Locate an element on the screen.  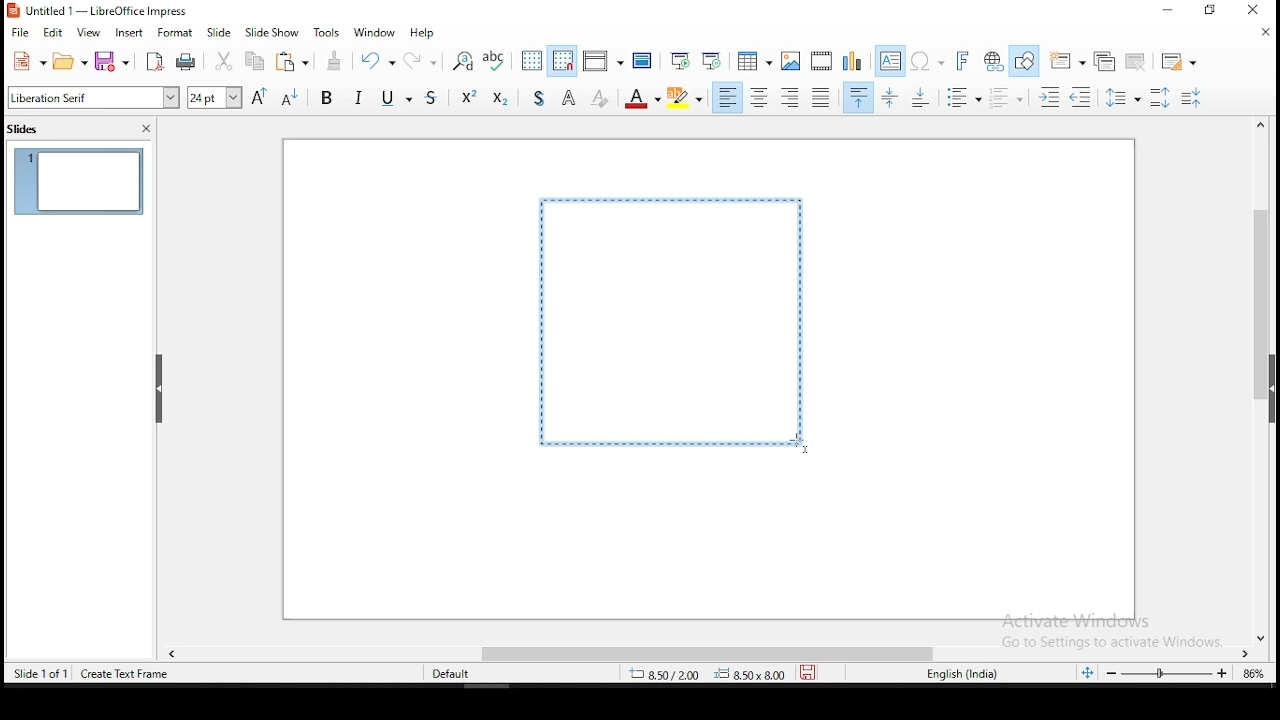
master slide is located at coordinates (644, 62).